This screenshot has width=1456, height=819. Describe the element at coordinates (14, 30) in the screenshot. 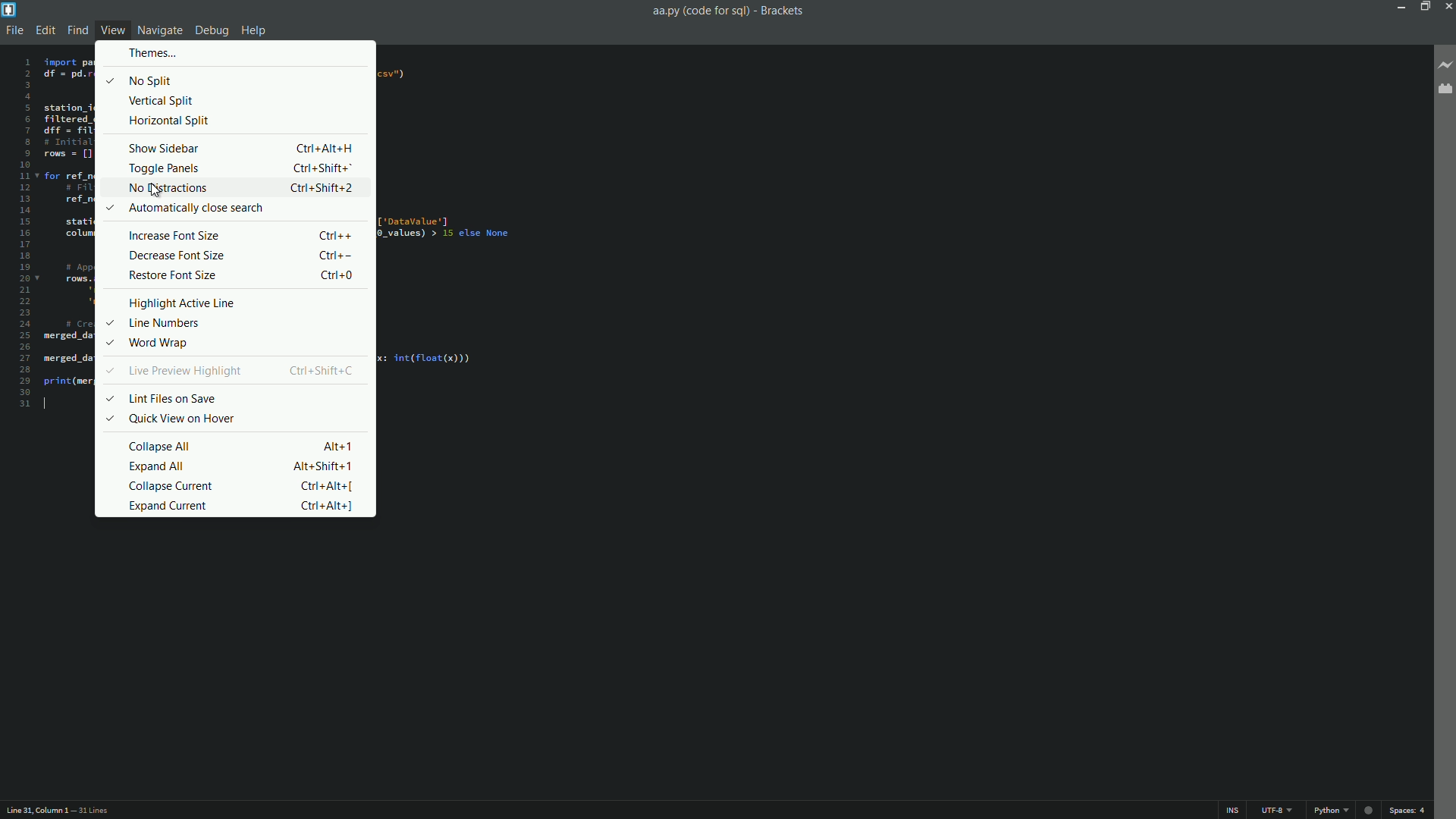

I see `file menu` at that location.